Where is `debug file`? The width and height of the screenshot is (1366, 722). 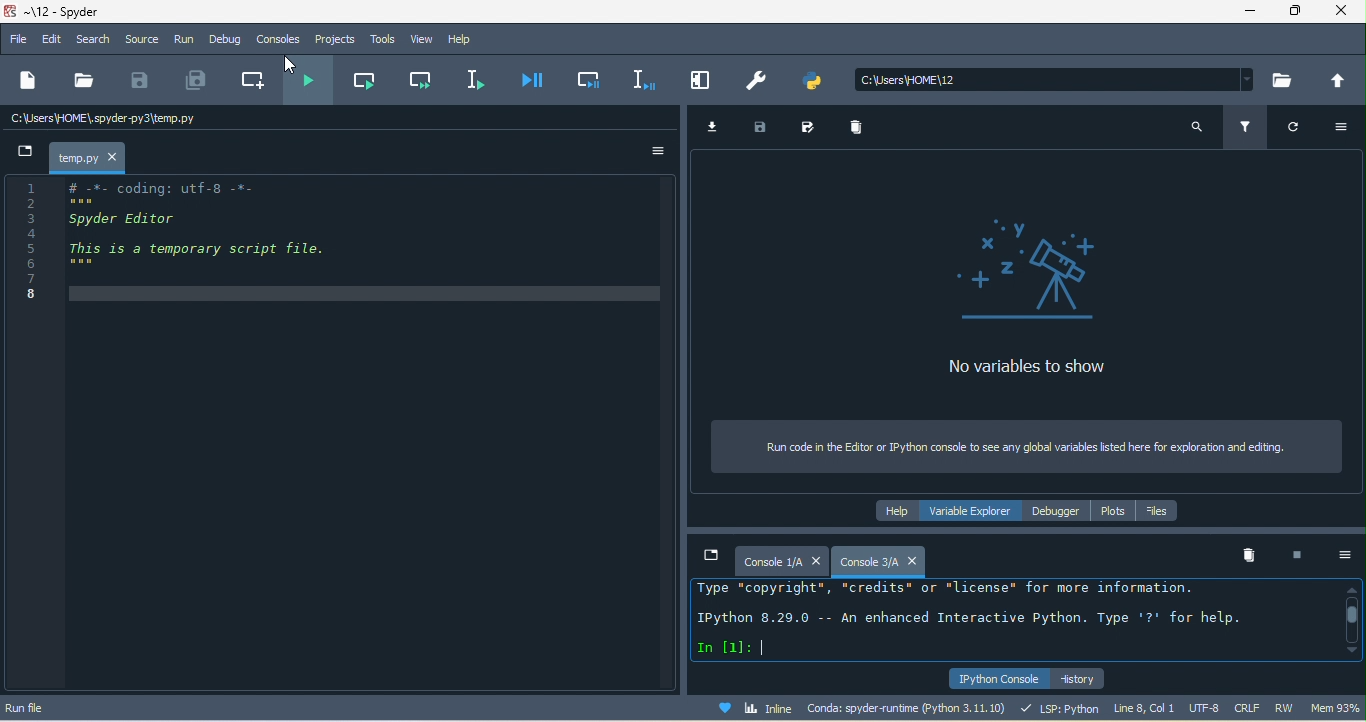 debug file is located at coordinates (537, 85).